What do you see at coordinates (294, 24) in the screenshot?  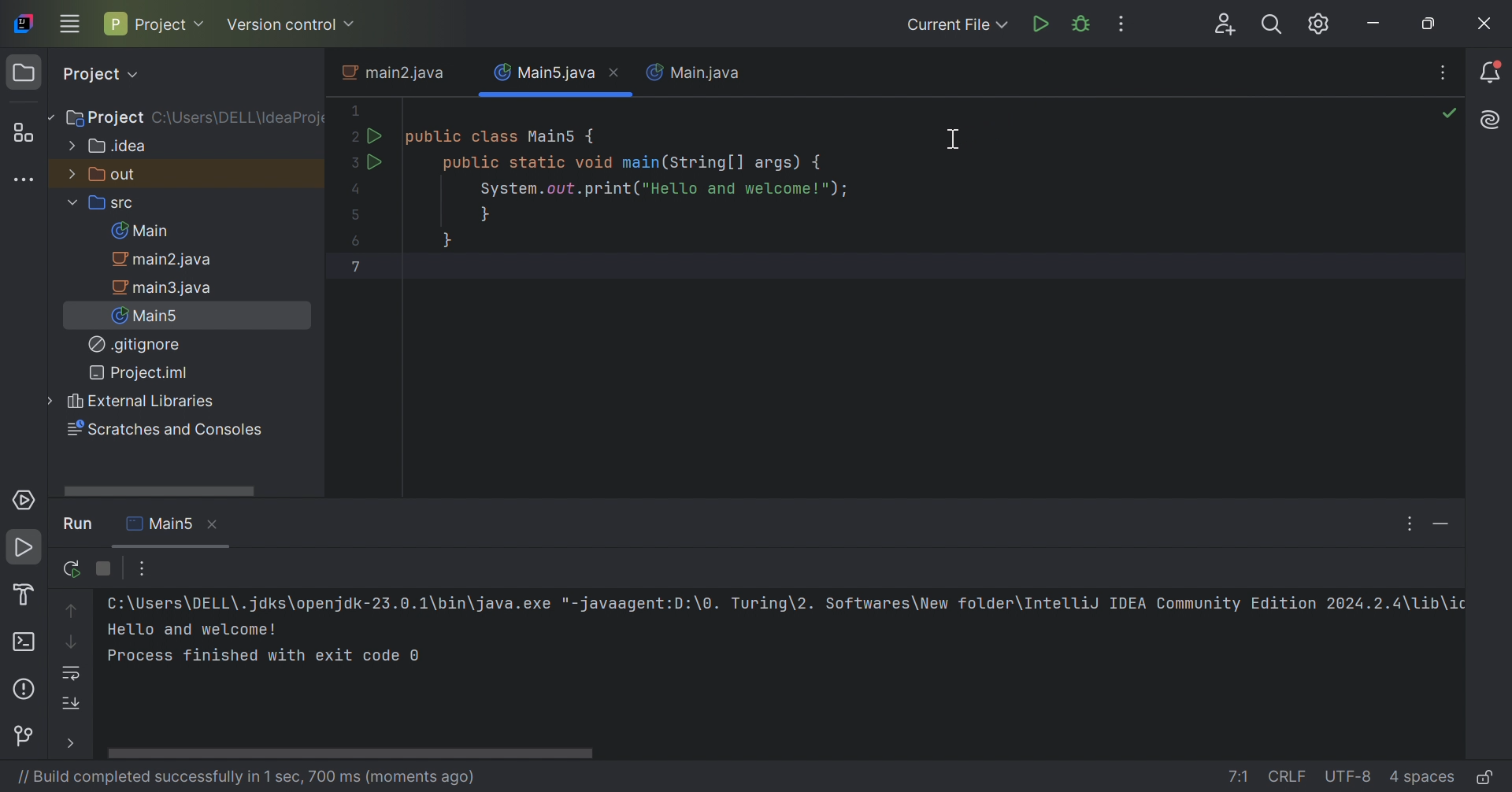 I see `Version control` at bounding box center [294, 24].